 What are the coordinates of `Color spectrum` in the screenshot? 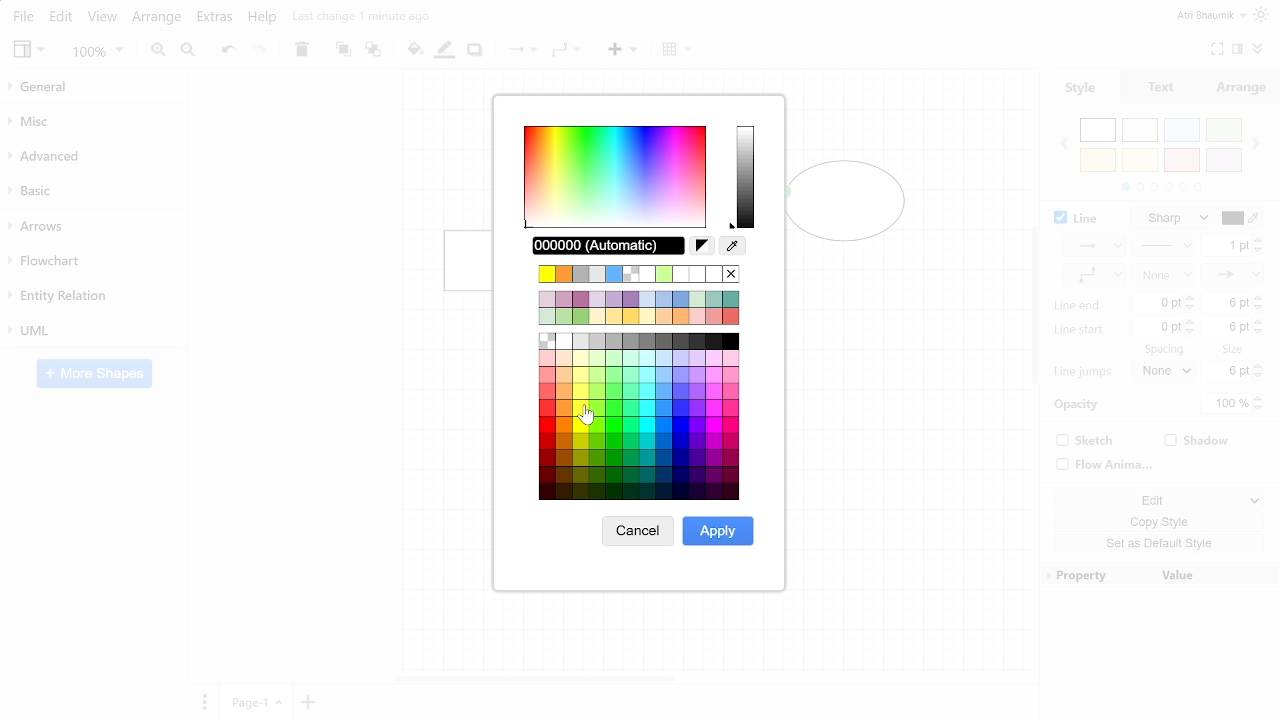 It's located at (614, 176).